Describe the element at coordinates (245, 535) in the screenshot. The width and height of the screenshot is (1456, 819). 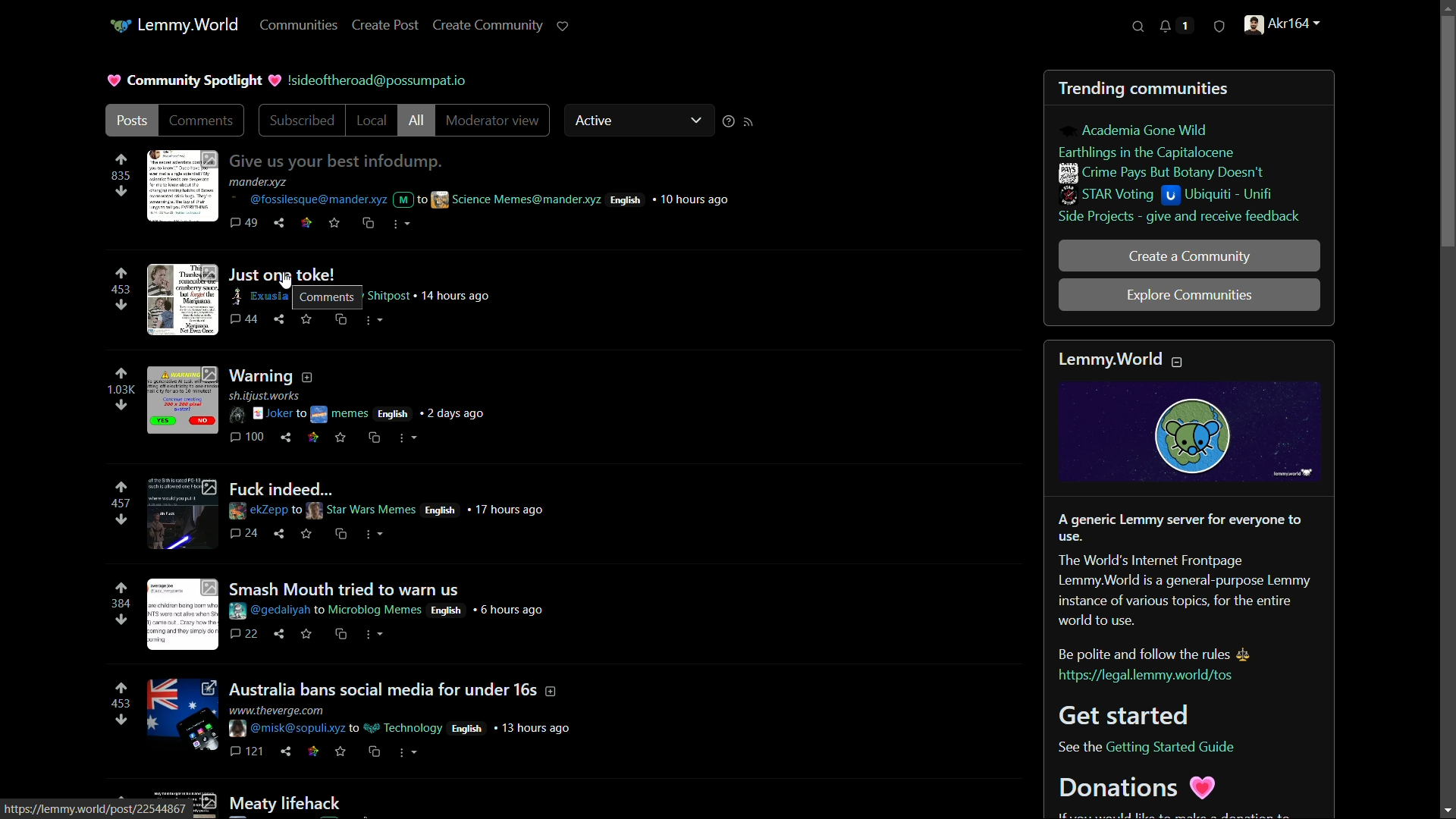
I see `24 comments` at that location.